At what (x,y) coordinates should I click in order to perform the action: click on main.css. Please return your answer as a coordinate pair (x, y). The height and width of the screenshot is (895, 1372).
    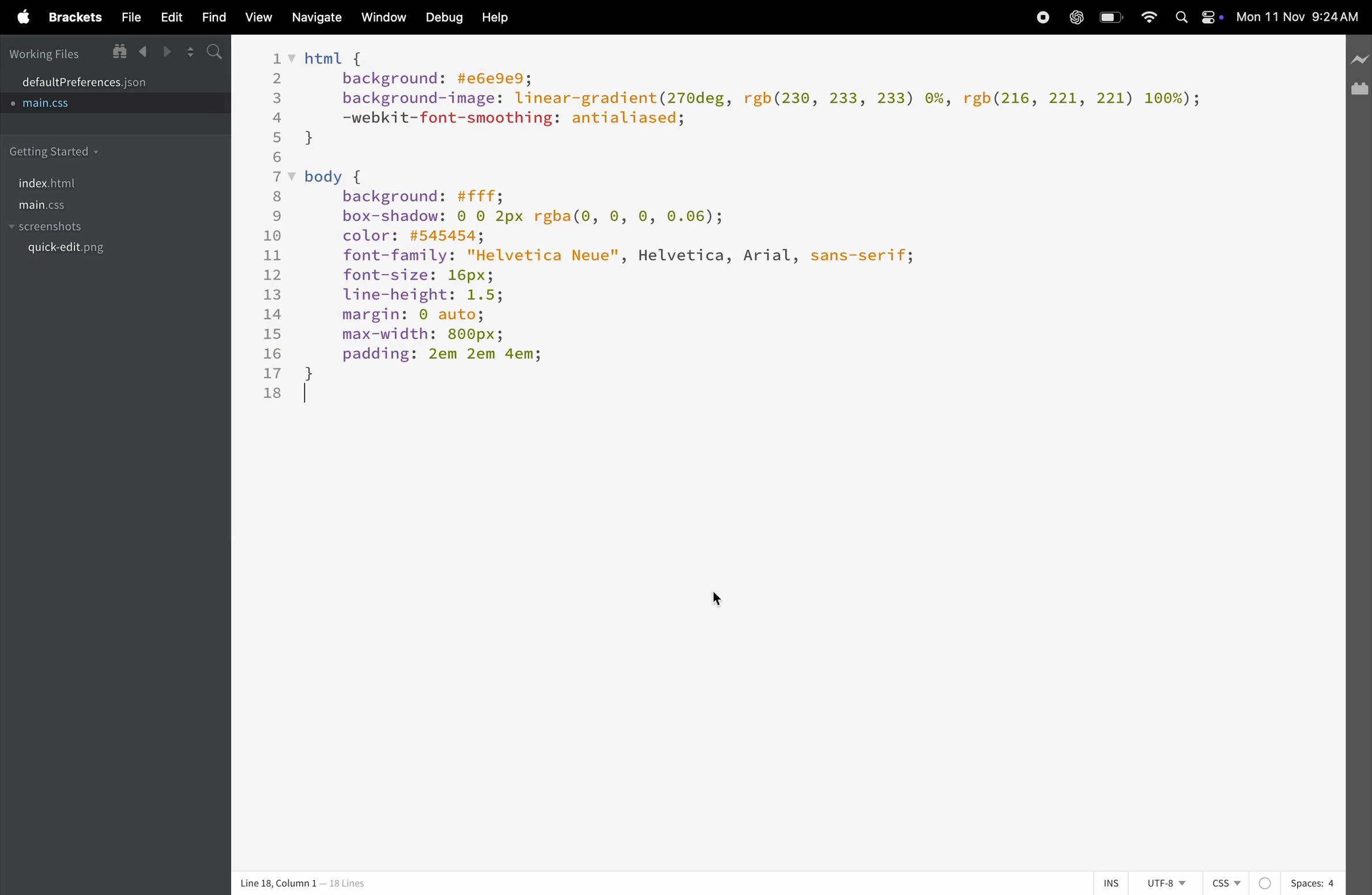
    Looking at the image, I should click on (63, 205).